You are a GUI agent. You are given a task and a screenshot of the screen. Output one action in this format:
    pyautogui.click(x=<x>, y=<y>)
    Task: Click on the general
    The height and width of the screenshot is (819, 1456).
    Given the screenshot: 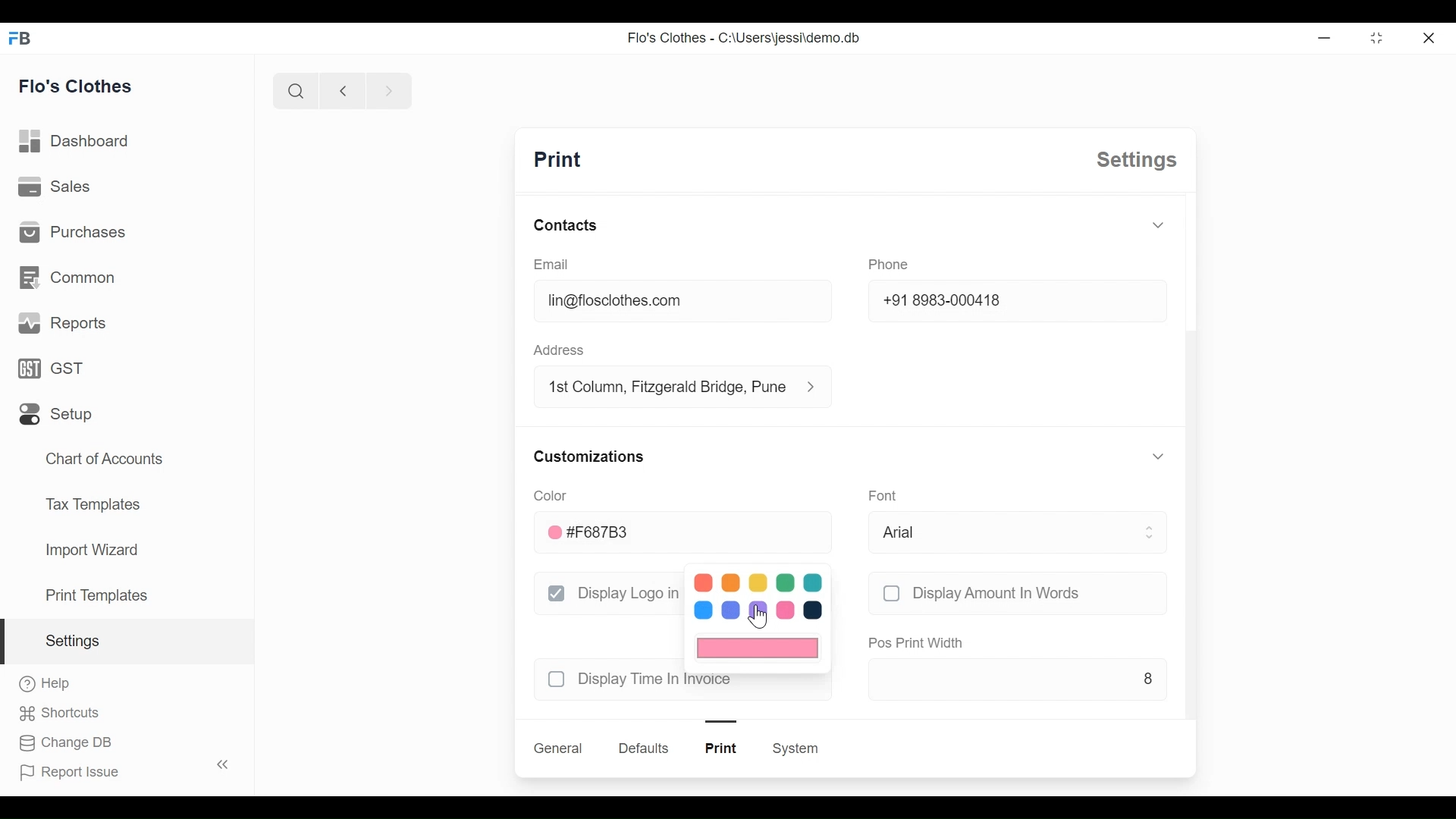 What is the action you would take?
    pyautogui.click(x=559, y=748)
    